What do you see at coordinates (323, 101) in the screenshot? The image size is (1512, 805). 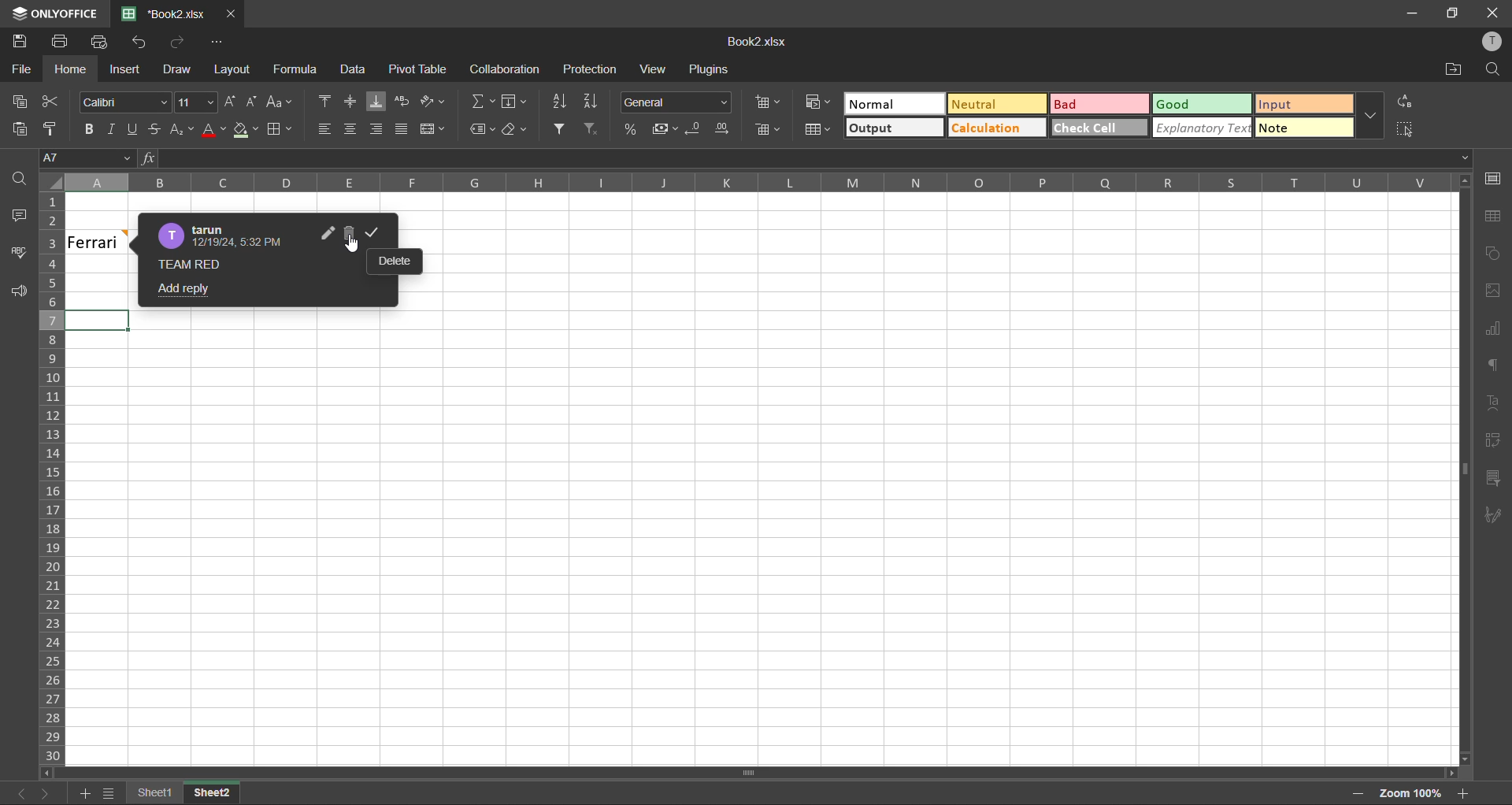 I see `align top` at bounding box center [323, 101].